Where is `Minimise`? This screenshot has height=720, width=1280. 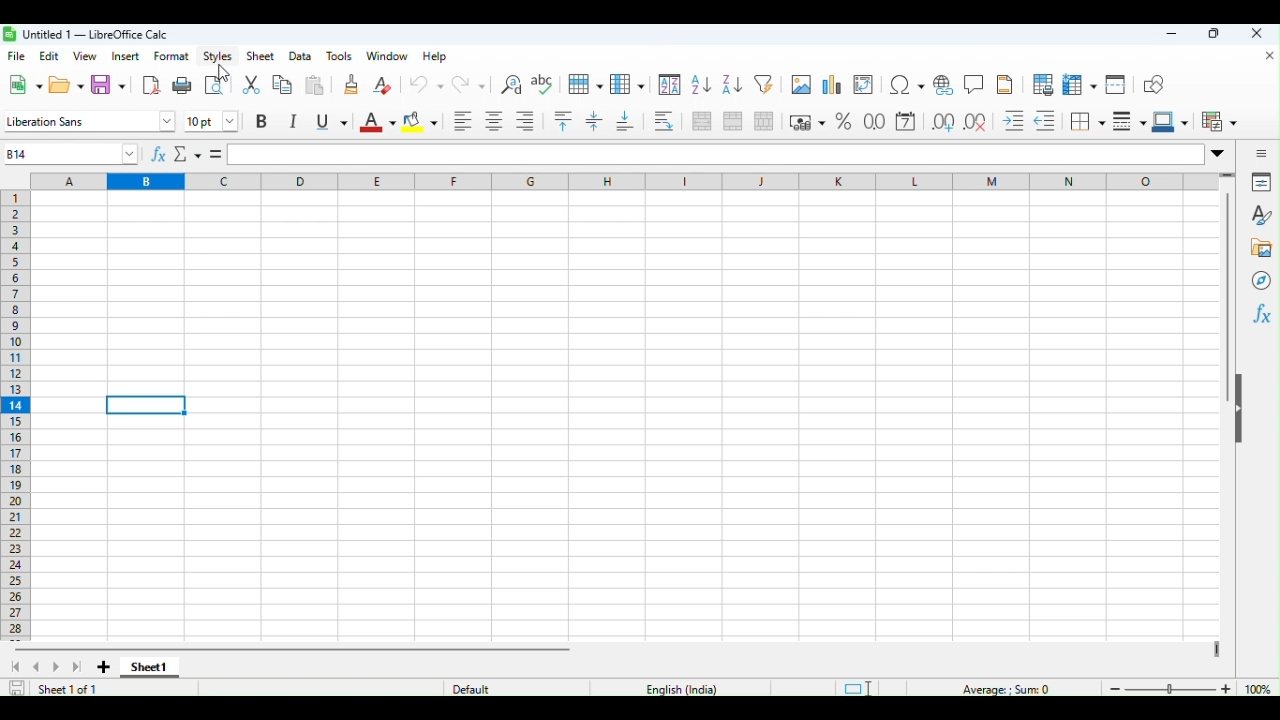 Minimise is located at coordinates (1178, 34).